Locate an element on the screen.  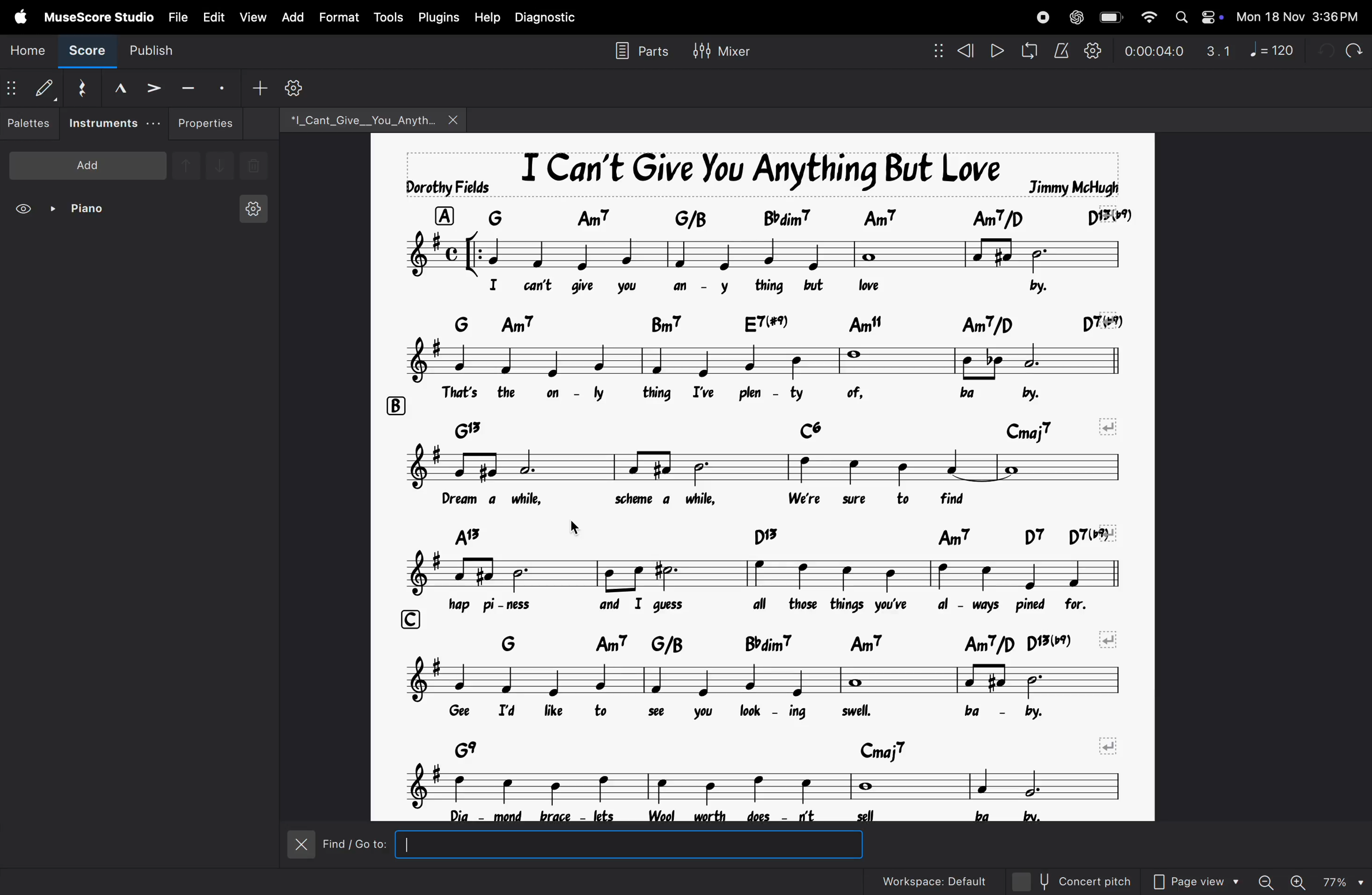
wifi is located at coordinates (1146, 18).